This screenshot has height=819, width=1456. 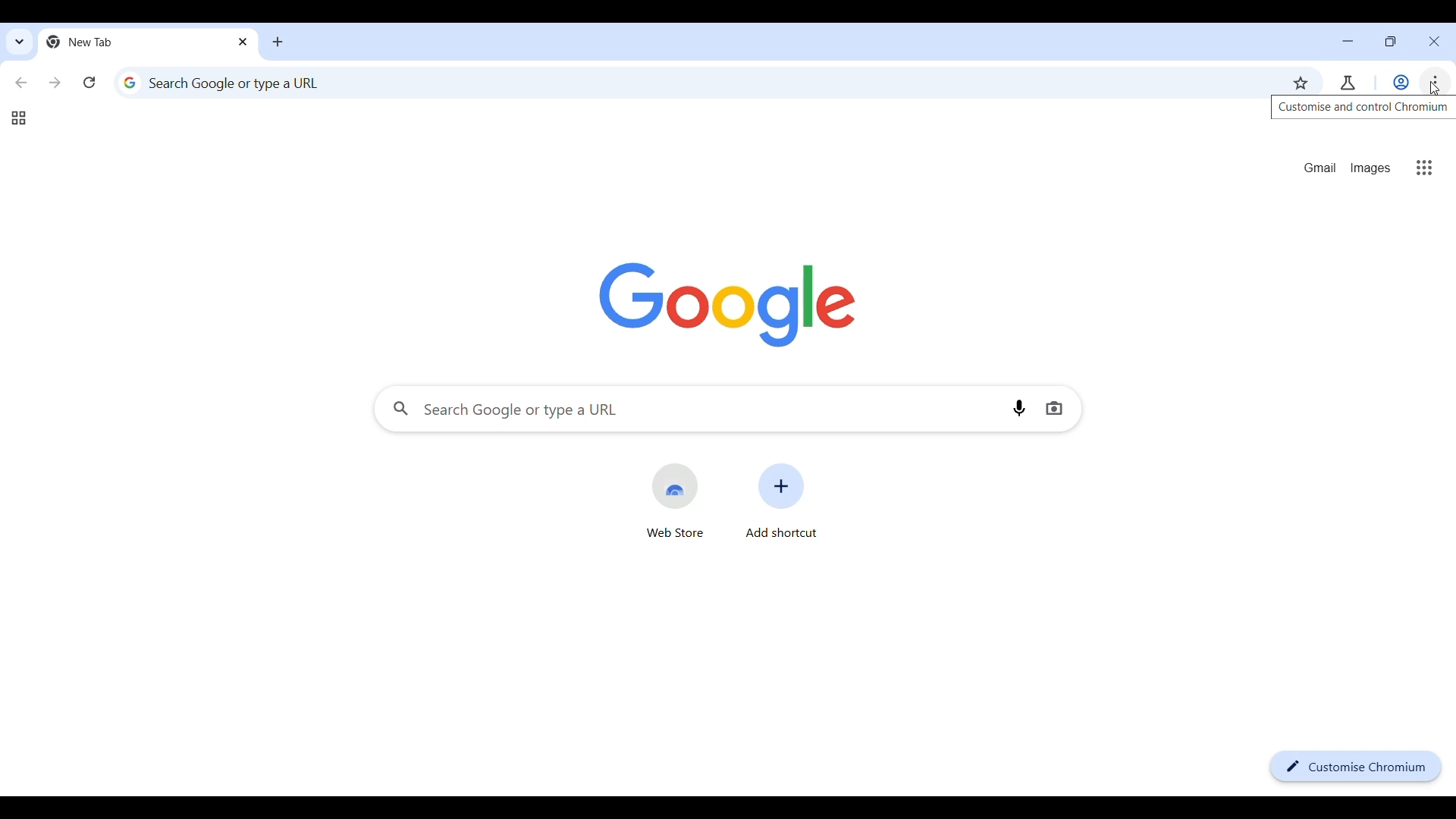 I want to click on Work, so click(x=1401, y=82).